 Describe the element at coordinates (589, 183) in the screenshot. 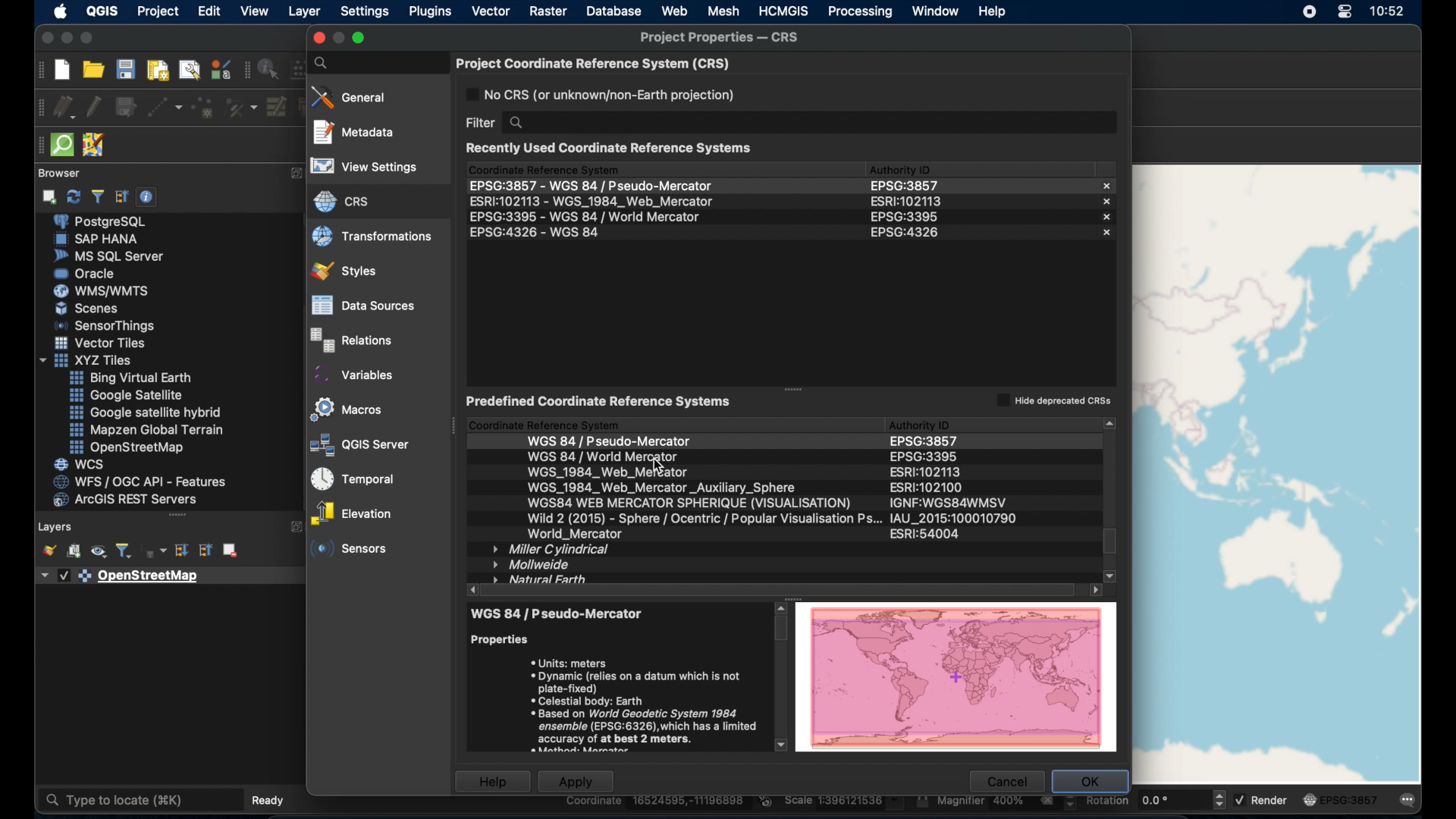

I see `ESPG3857 - WGS 84 / Pseudo Mercator` at that location.